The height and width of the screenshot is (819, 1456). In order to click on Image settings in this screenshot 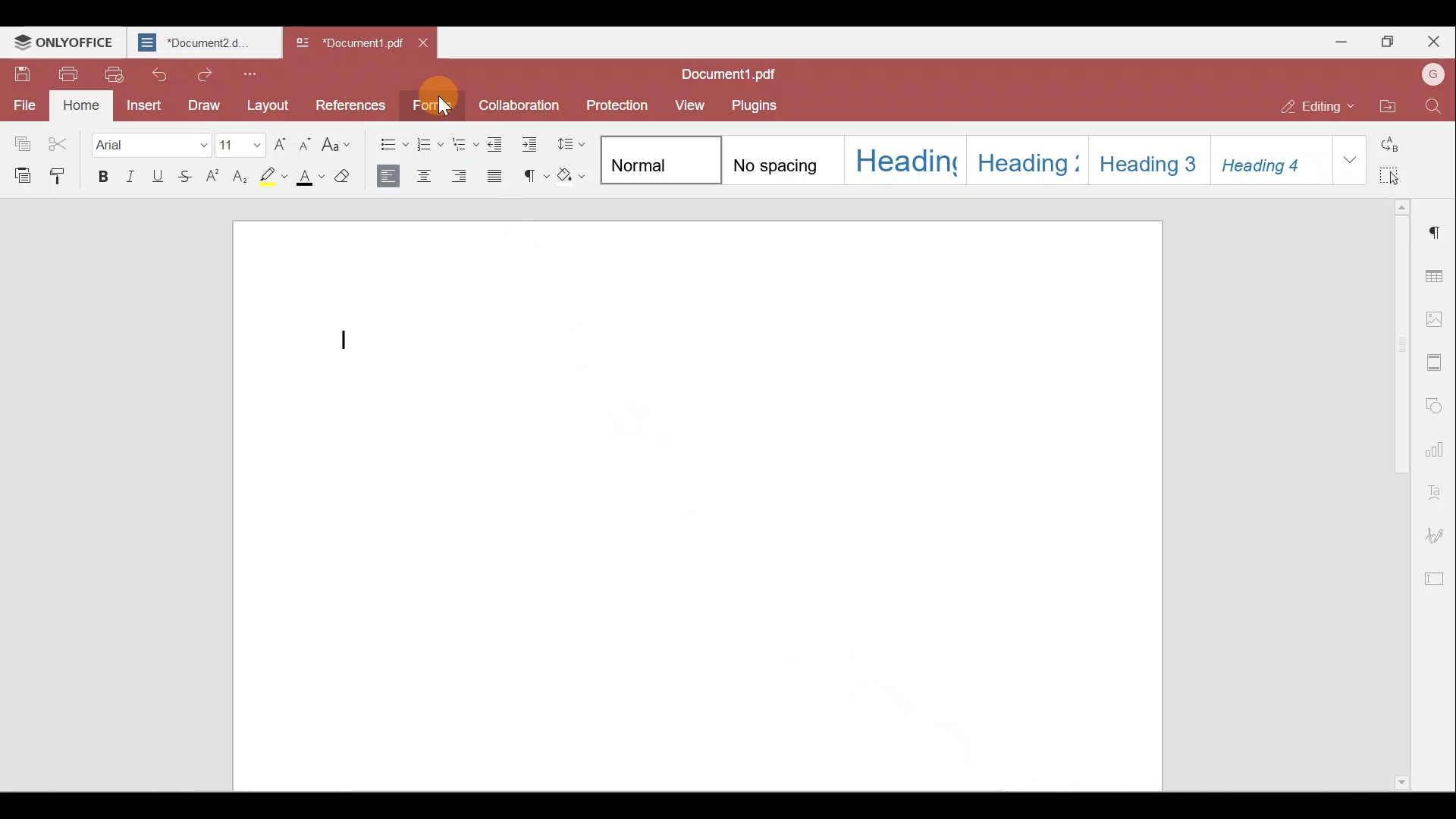, I will do `click(1435, 318)`.